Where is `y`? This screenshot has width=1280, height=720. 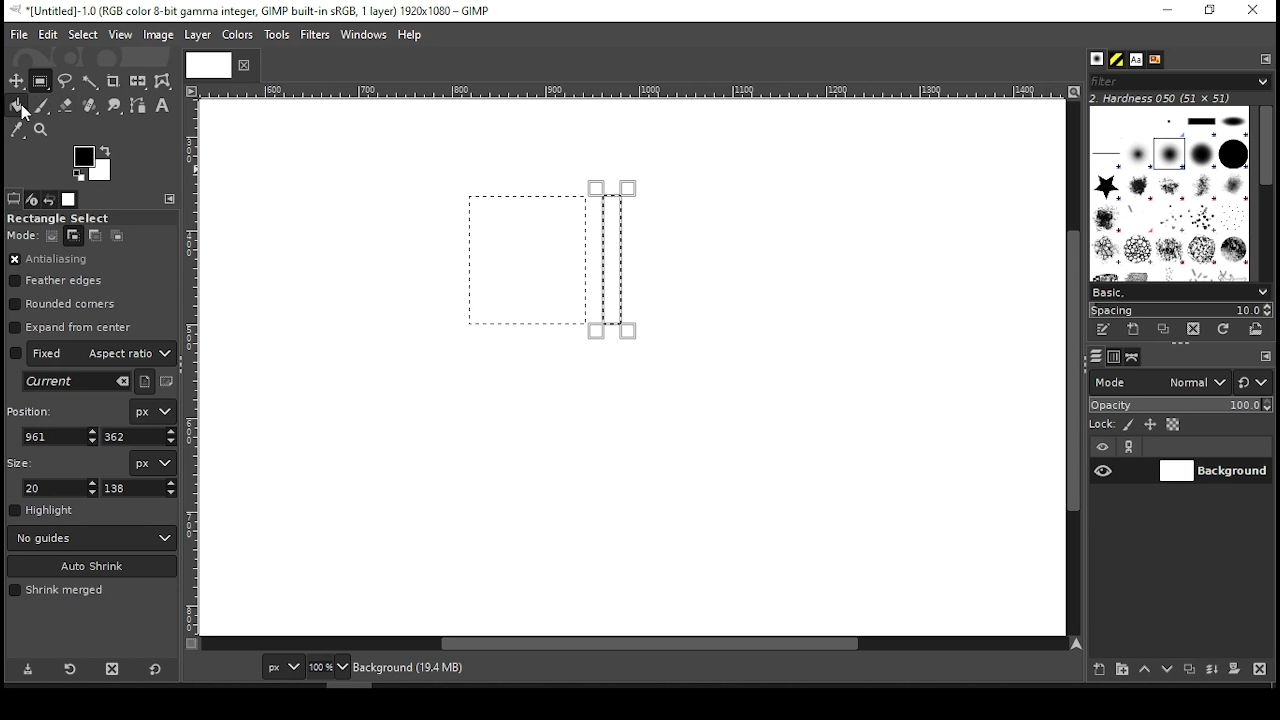
y is located at coordinates (137, 437).